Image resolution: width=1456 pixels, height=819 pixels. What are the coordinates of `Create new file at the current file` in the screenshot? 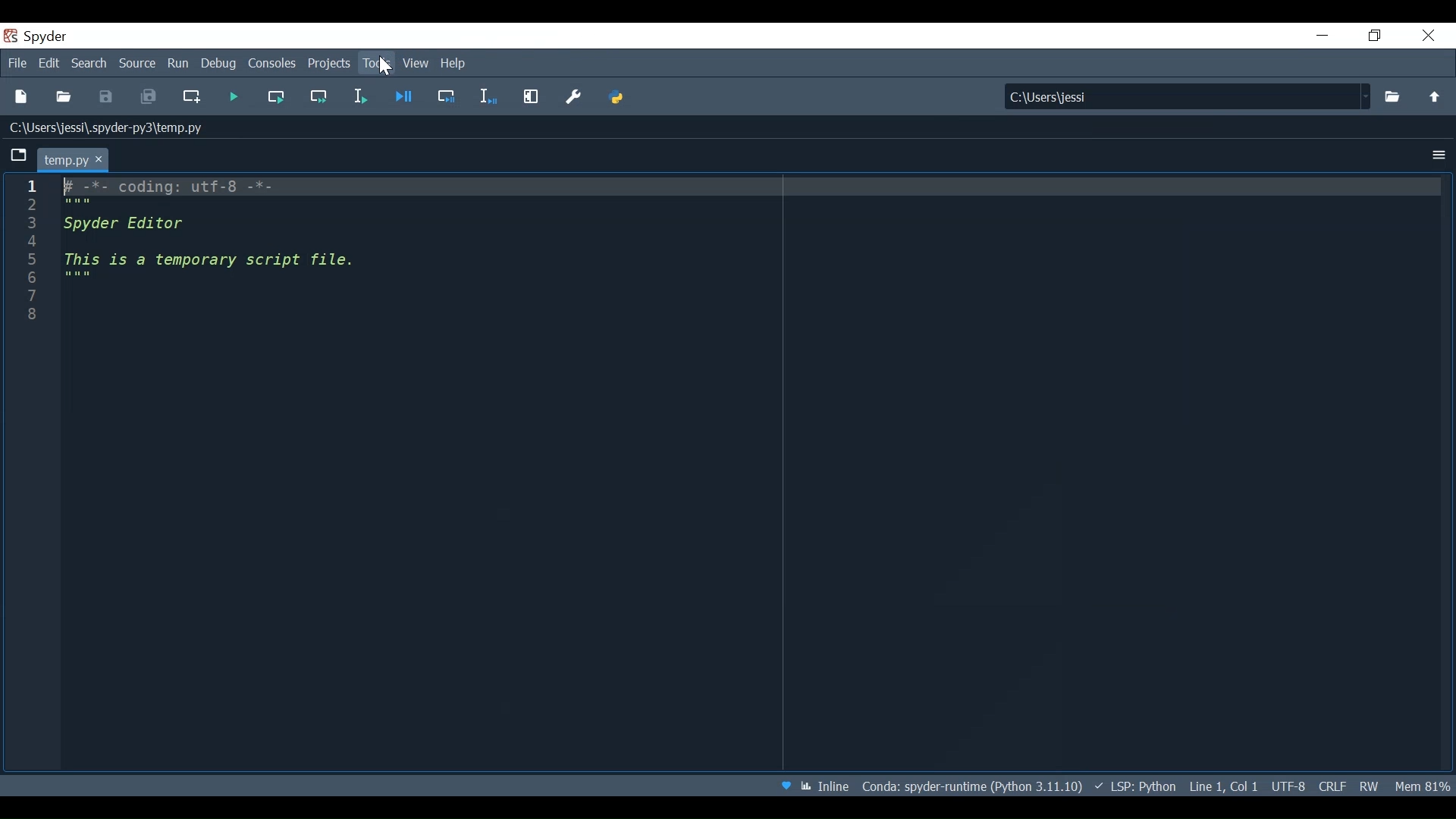 It's located at (192, 97).